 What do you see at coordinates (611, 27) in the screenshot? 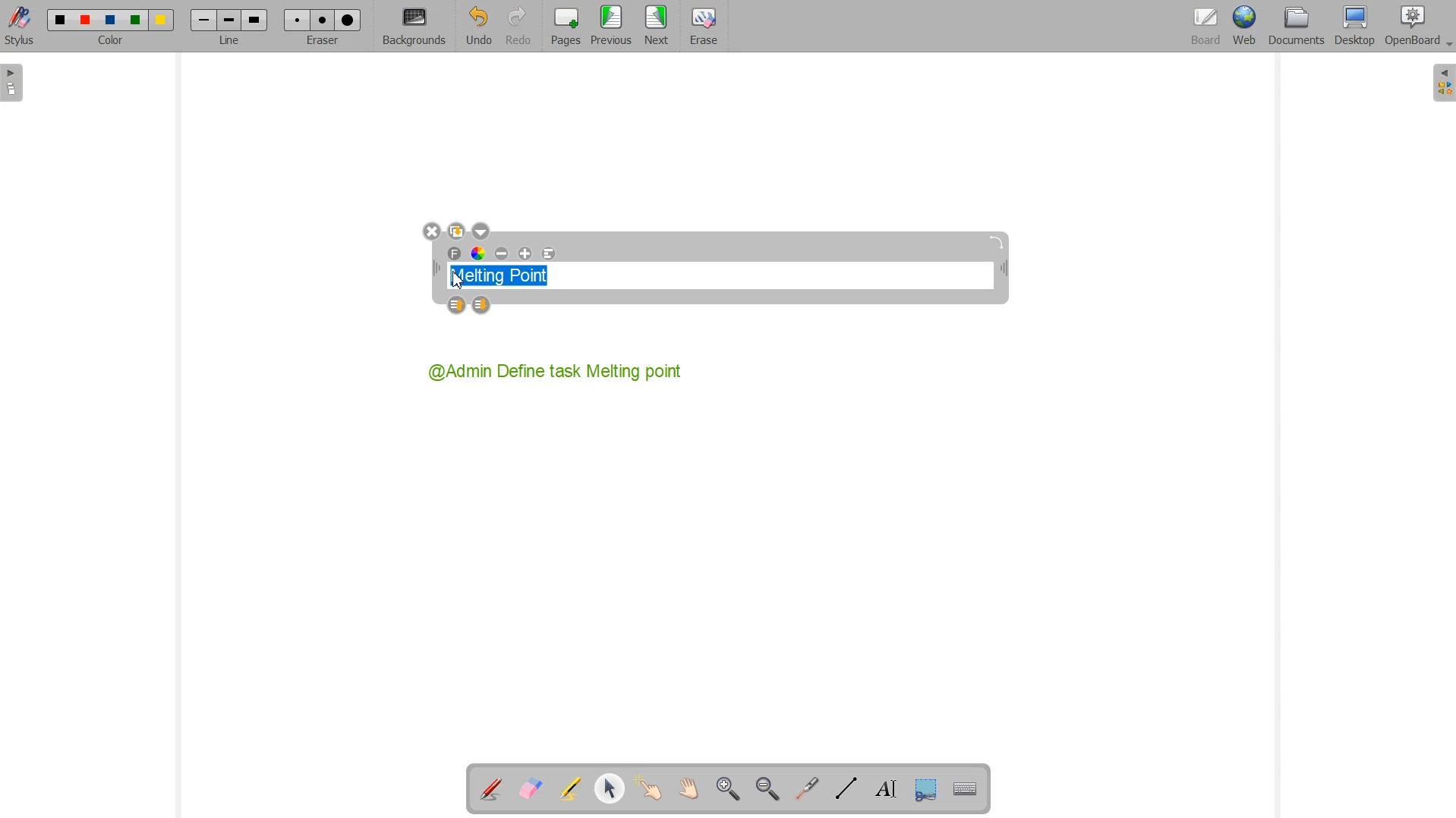
I see `` at bounding box center [611, 27].